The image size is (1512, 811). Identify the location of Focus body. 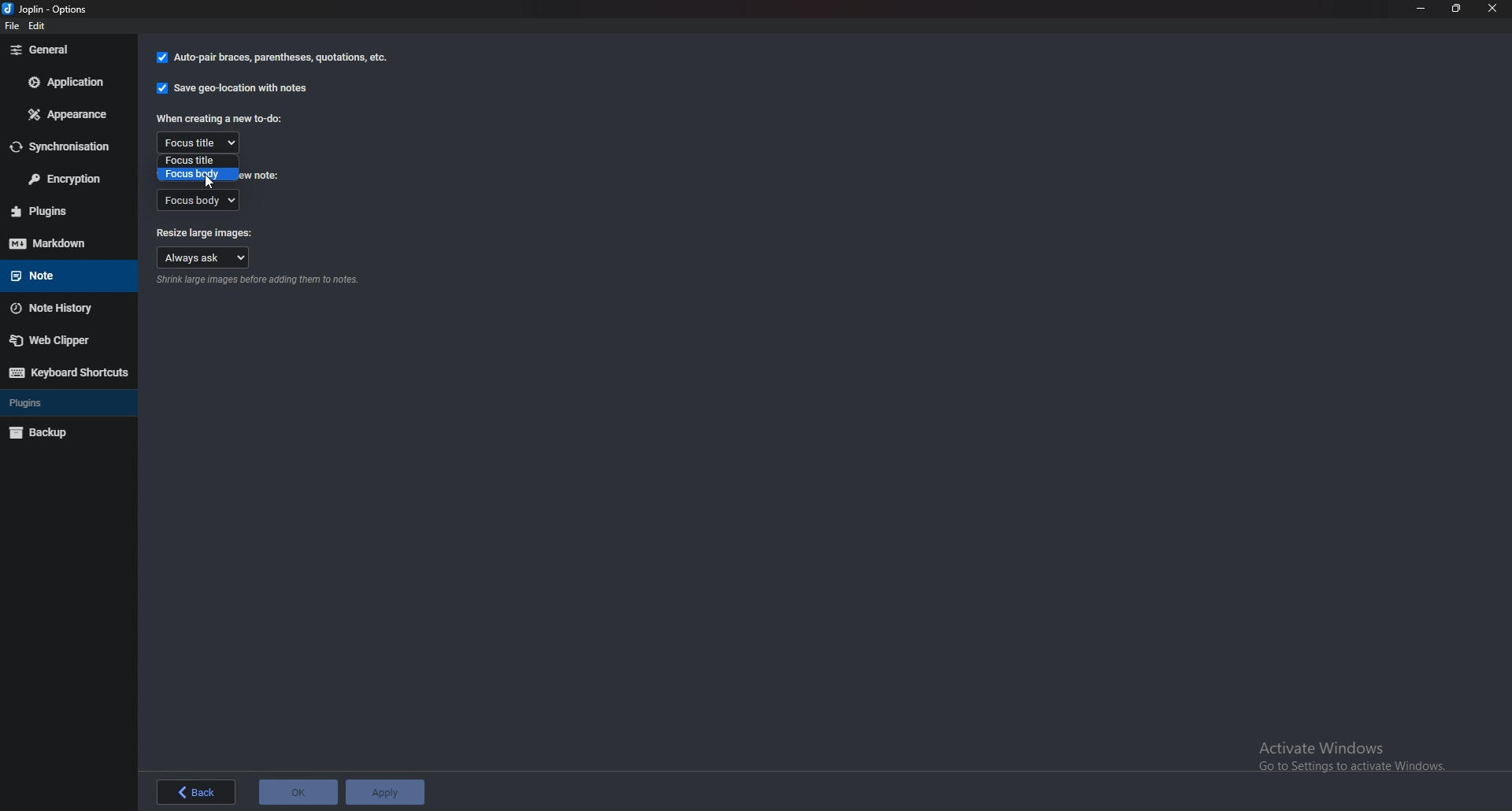
(205, 200).